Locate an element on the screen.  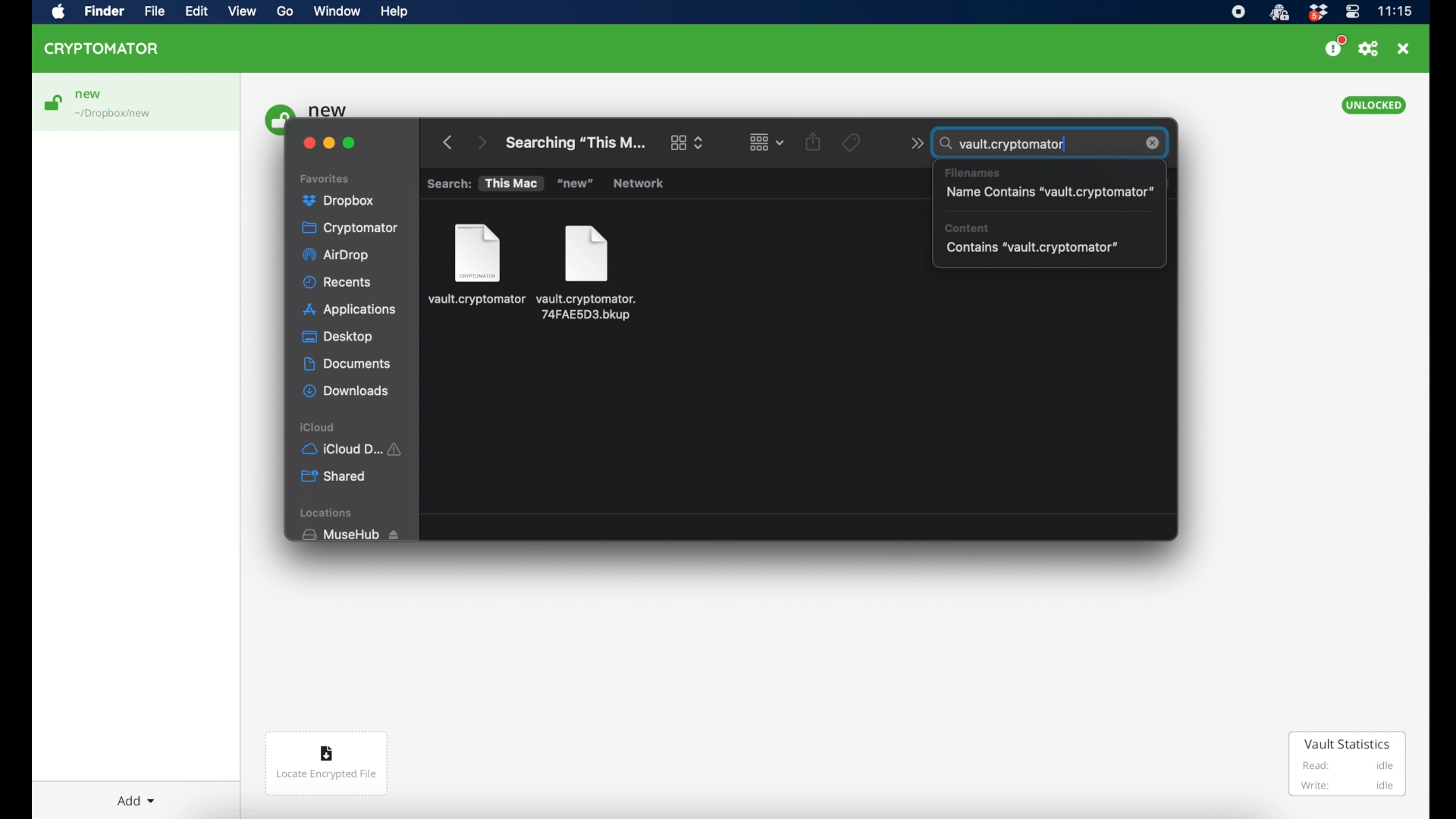
muse hub is located at coordinates (350, 535).